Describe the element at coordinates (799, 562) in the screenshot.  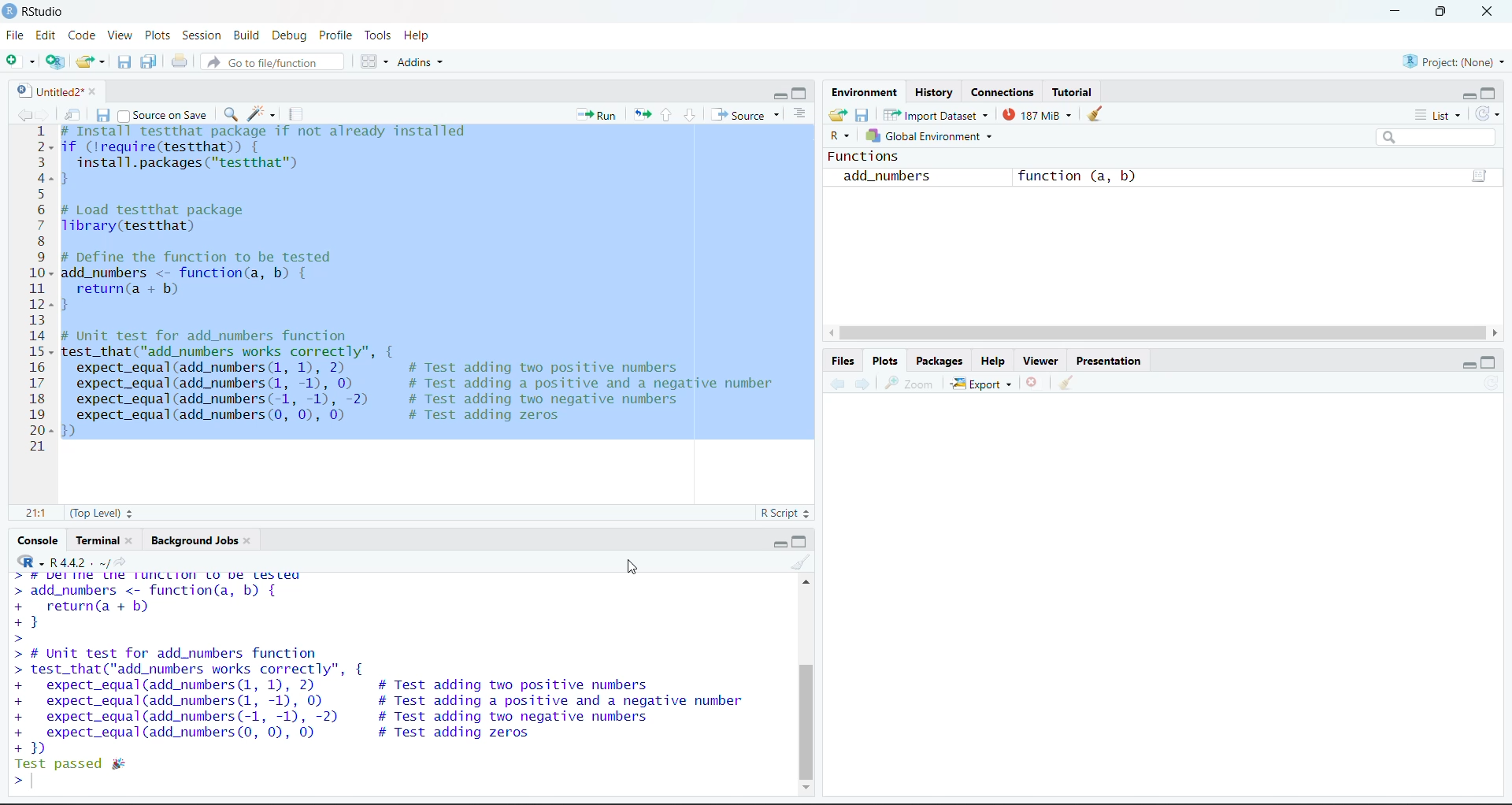
I see `clear console` at that location.